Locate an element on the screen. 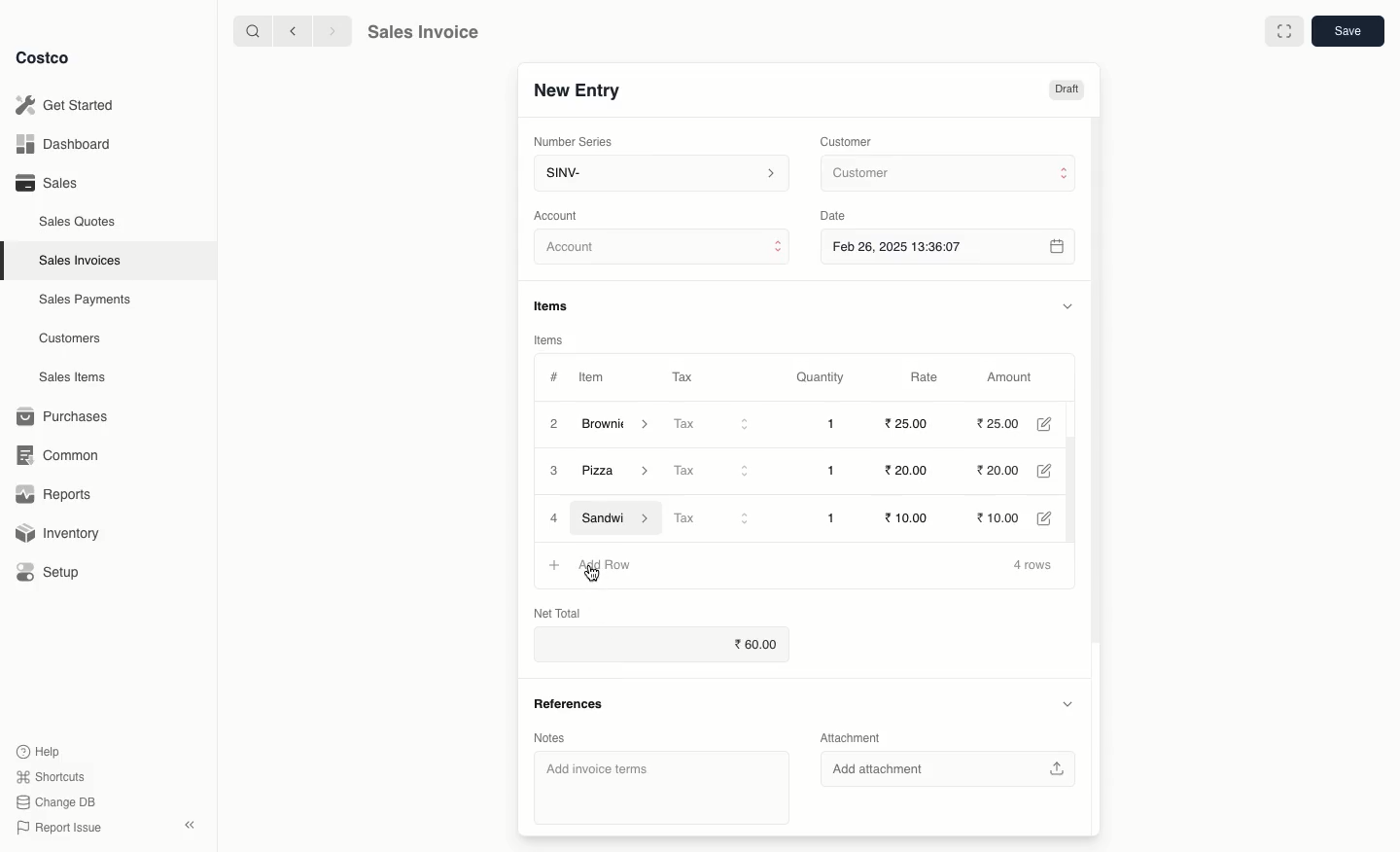  Sandwich is located at coordinates (617, 517).